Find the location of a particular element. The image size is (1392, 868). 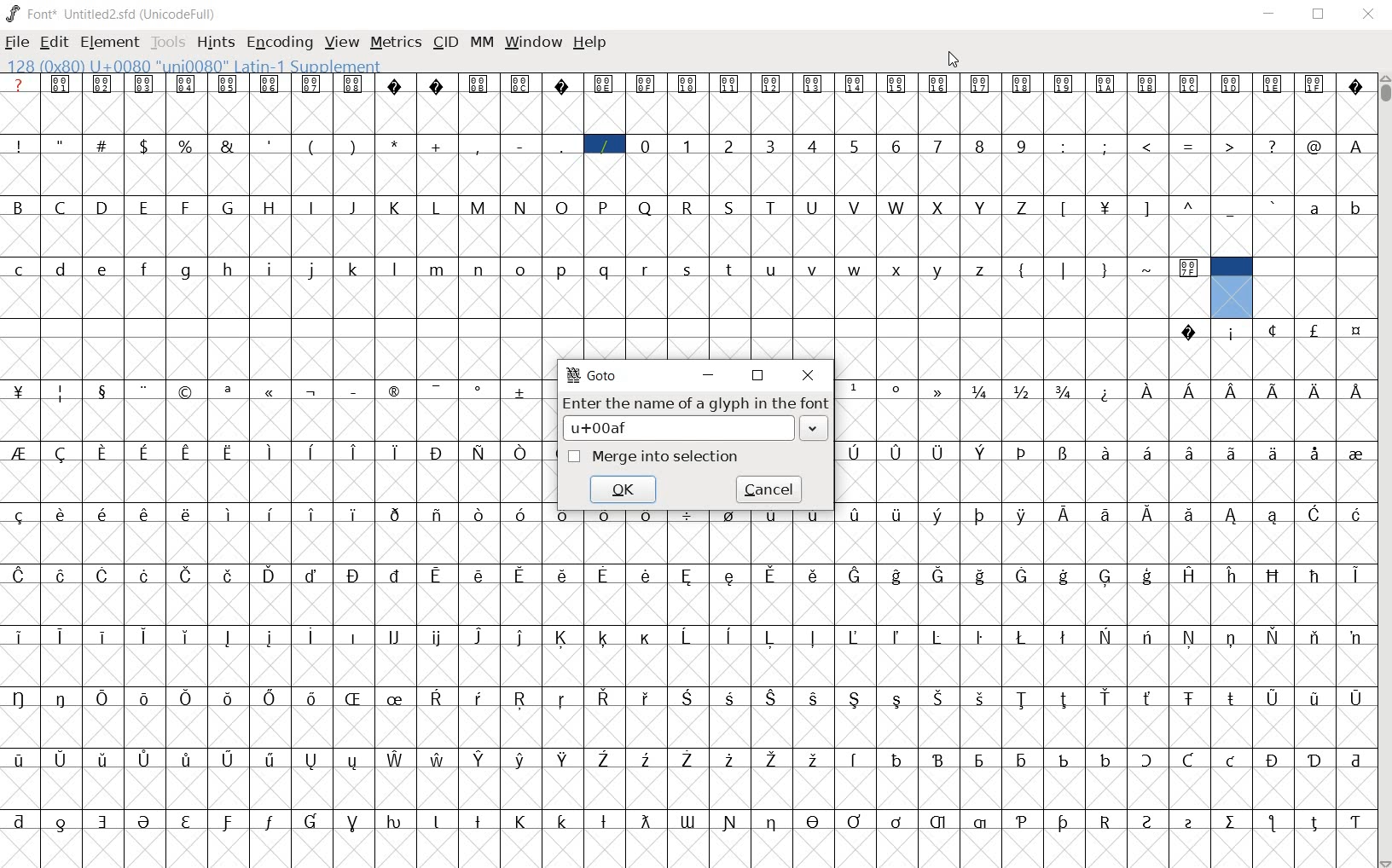

cell selected is located at coordinates (1231, 286).